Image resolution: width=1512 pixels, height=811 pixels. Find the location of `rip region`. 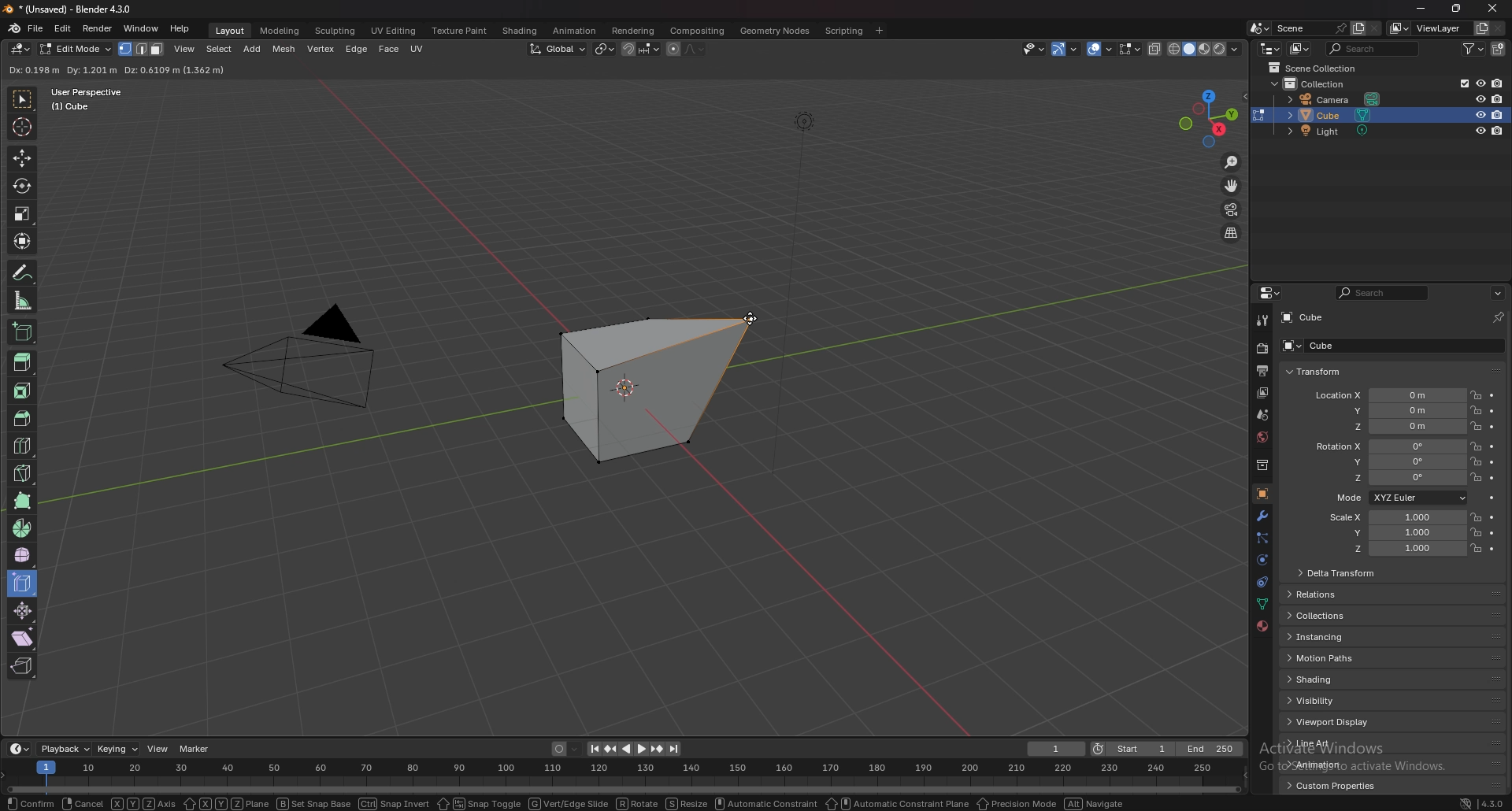

rip region is located at coordinates (23, 665).